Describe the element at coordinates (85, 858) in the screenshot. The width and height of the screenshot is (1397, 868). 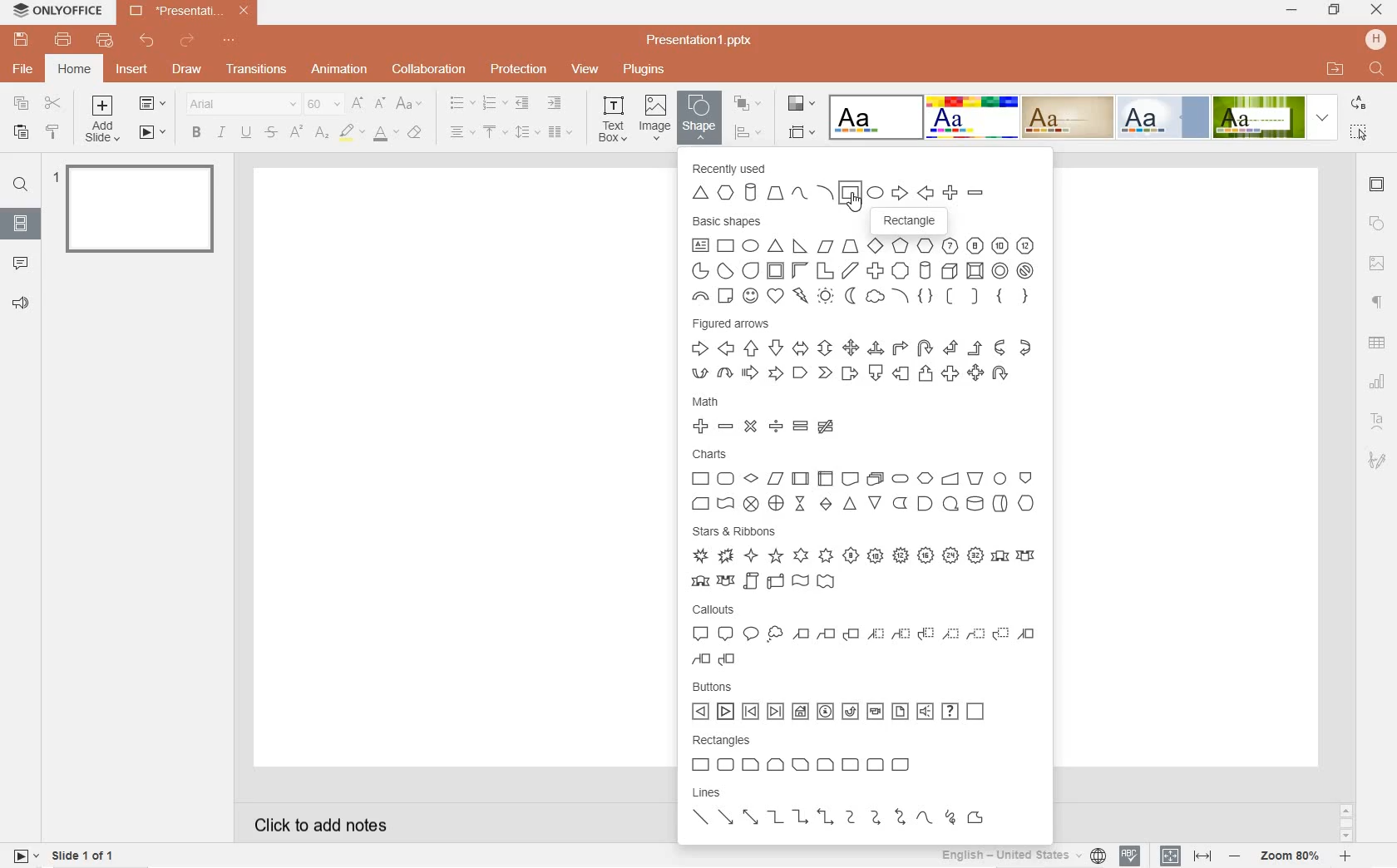
I see `slide 1 of 1` at that location.